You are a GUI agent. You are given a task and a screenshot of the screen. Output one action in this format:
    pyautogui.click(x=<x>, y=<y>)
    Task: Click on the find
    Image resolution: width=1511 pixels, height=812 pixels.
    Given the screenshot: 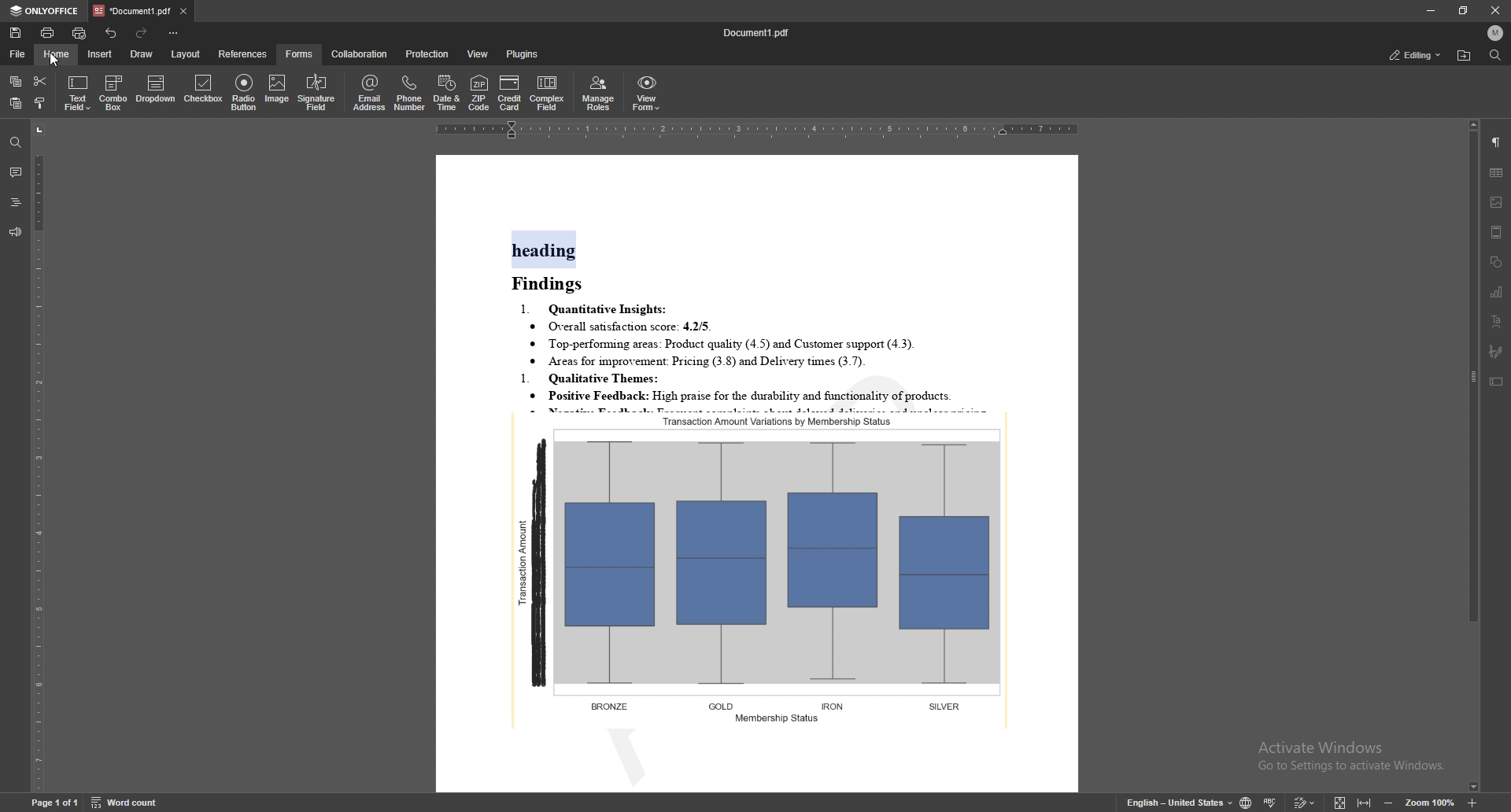 What is the action you would take?
    pyautogui.click(x=1496, y=56)
    